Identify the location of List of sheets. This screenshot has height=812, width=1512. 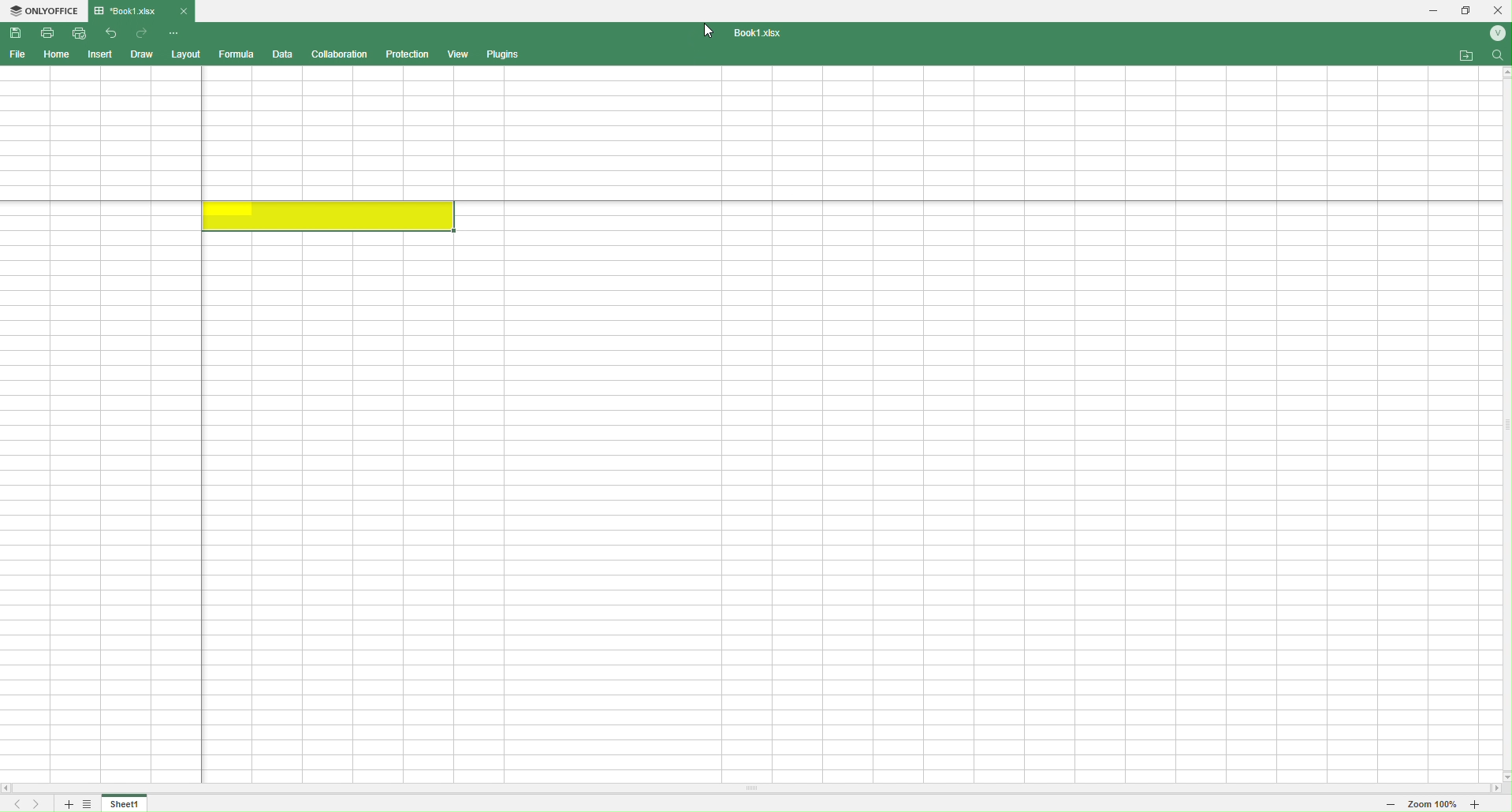
(91, 804).